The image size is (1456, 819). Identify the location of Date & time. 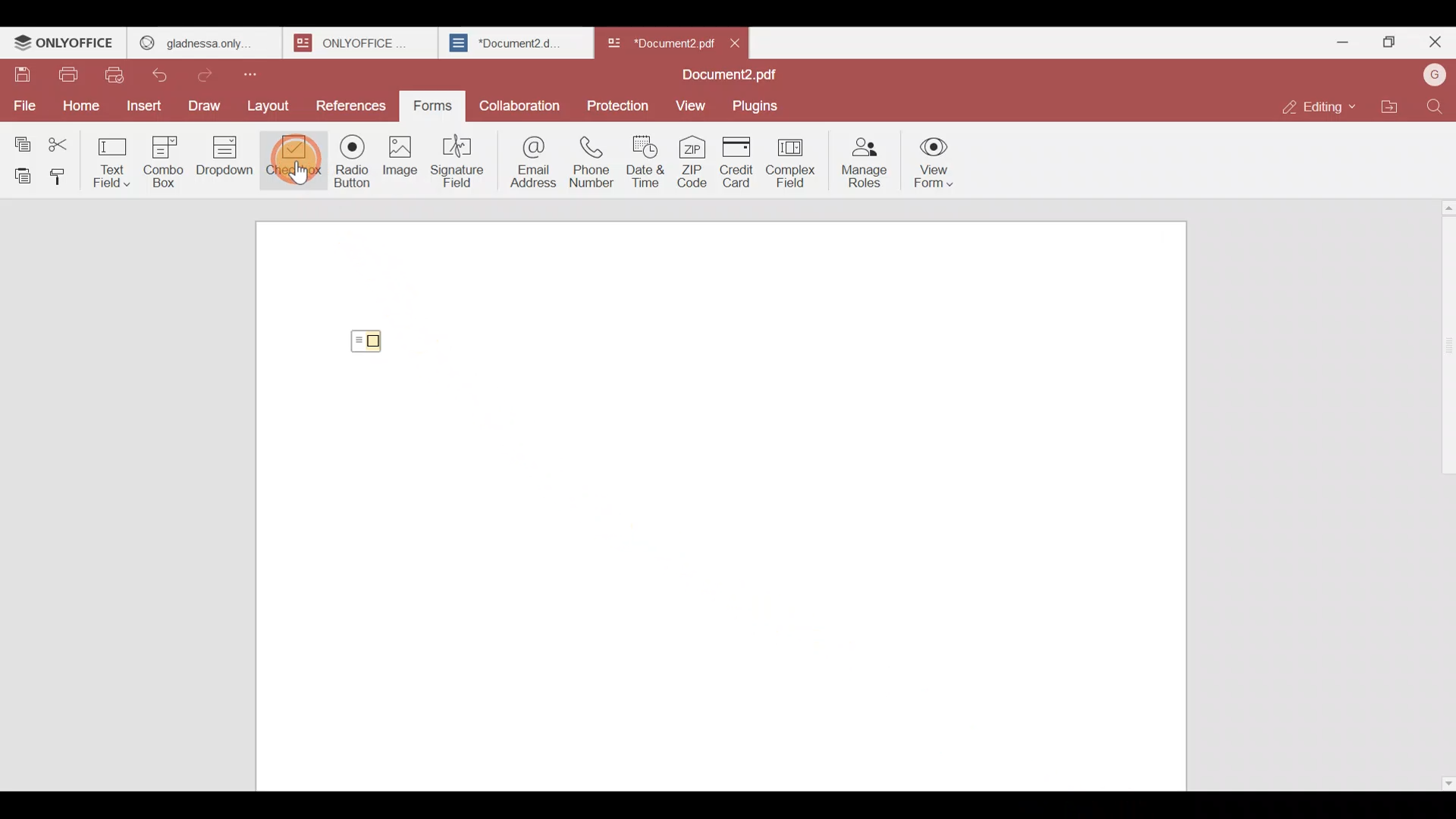
(649, 162).